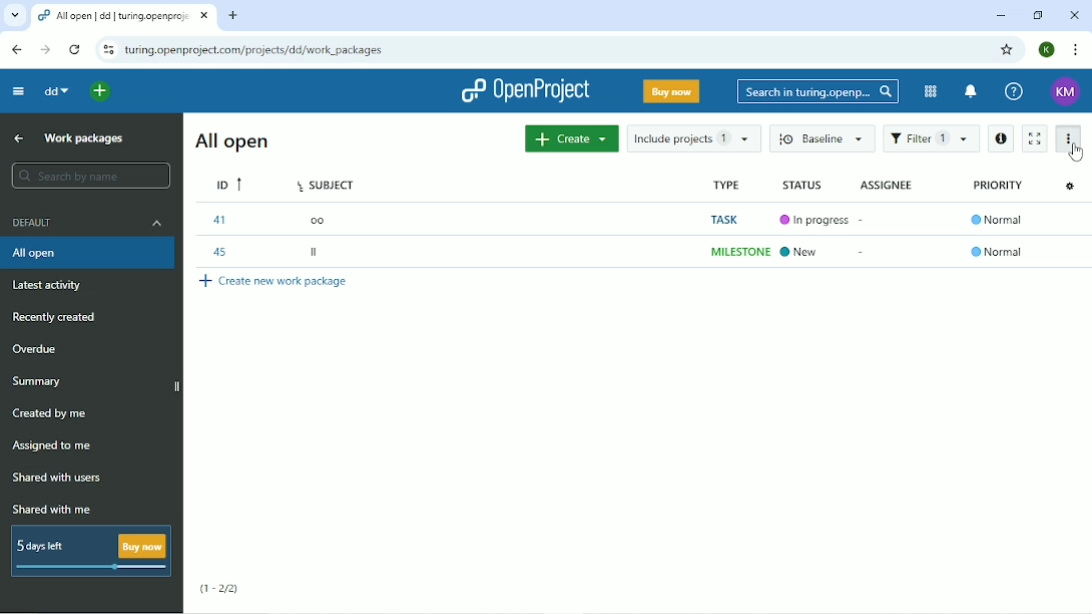 The image size is (1092, 614). Describe the element at coordinates (55, 479) in the screenshot. I see `Shared with users` at that location.